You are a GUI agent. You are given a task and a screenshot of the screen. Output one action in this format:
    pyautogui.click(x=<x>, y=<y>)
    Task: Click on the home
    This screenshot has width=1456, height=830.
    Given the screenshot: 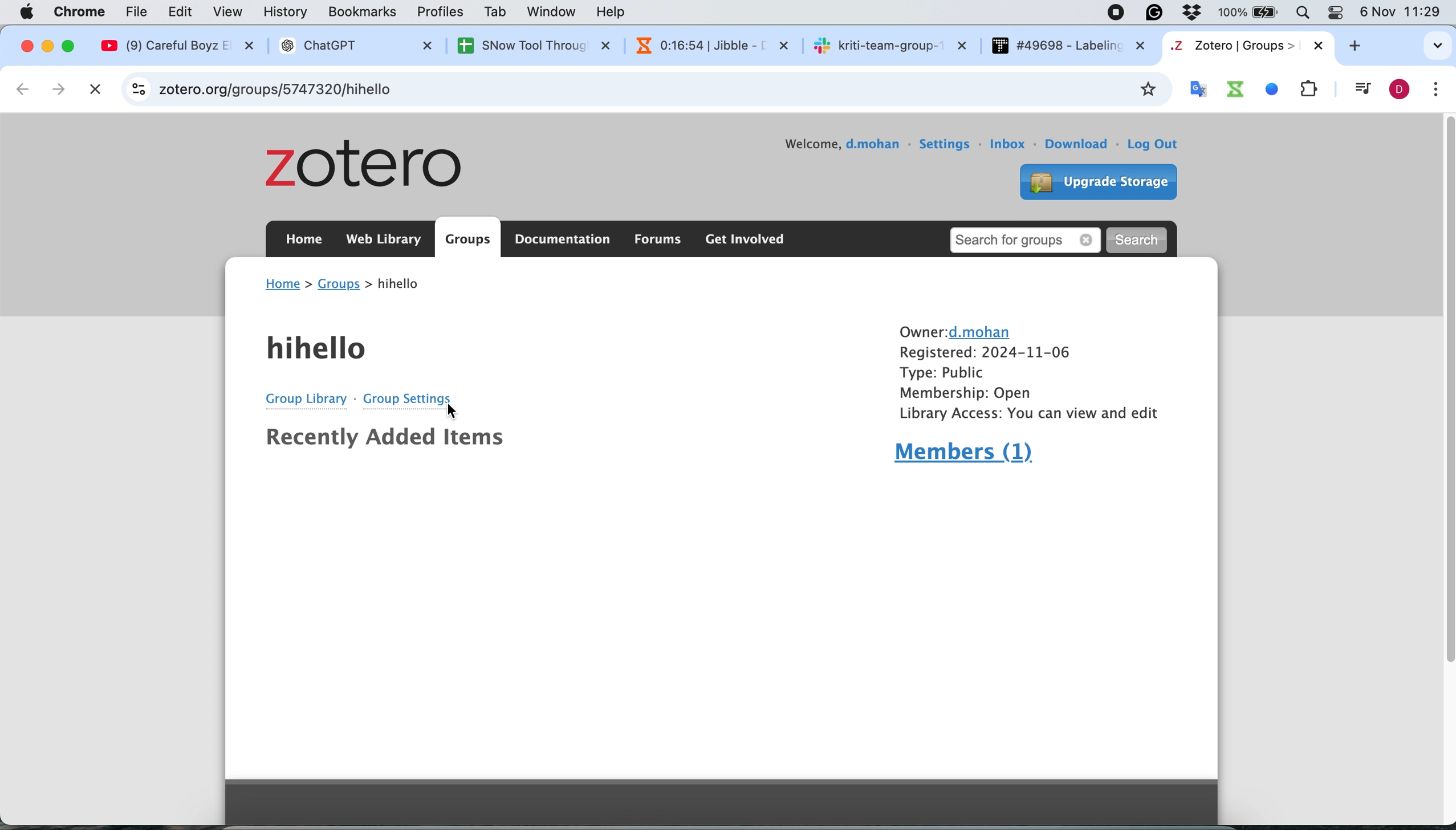 What is the action you would take?
    pyautogui.click(x=303, y=242)
    